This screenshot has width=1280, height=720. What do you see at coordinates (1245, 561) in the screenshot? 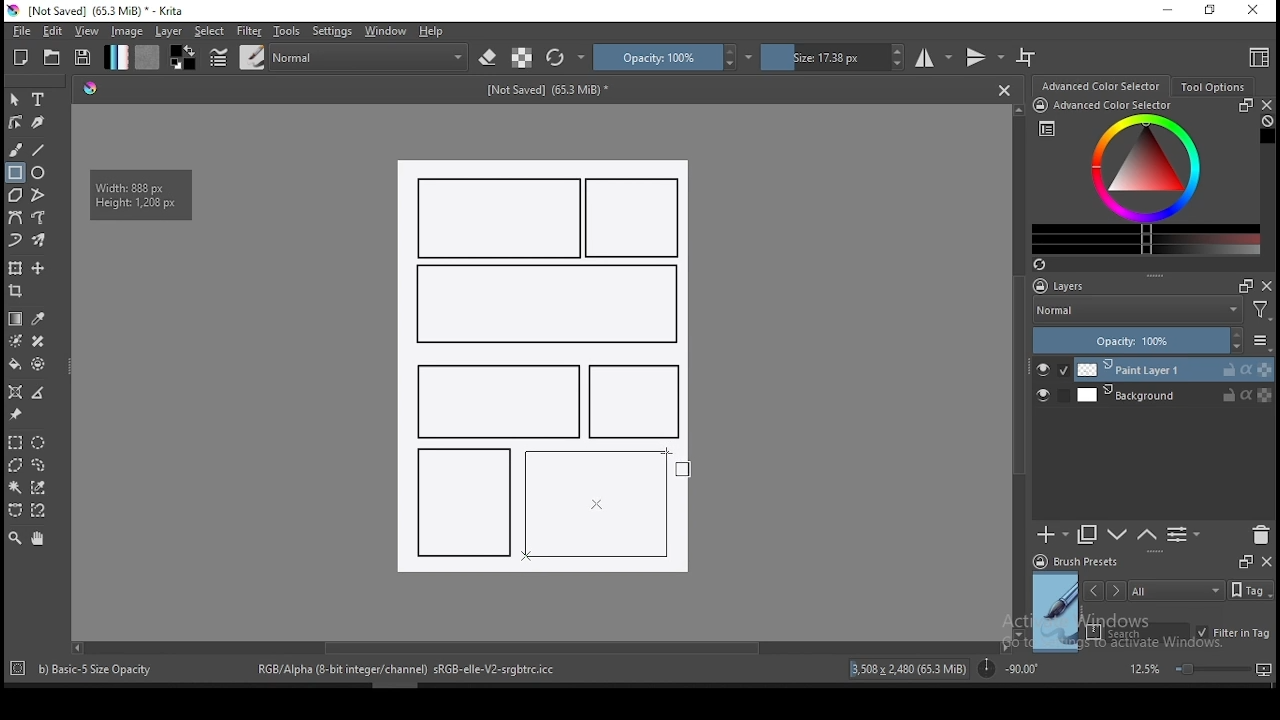
I see `Frames` at bounding box center [1245, 561].